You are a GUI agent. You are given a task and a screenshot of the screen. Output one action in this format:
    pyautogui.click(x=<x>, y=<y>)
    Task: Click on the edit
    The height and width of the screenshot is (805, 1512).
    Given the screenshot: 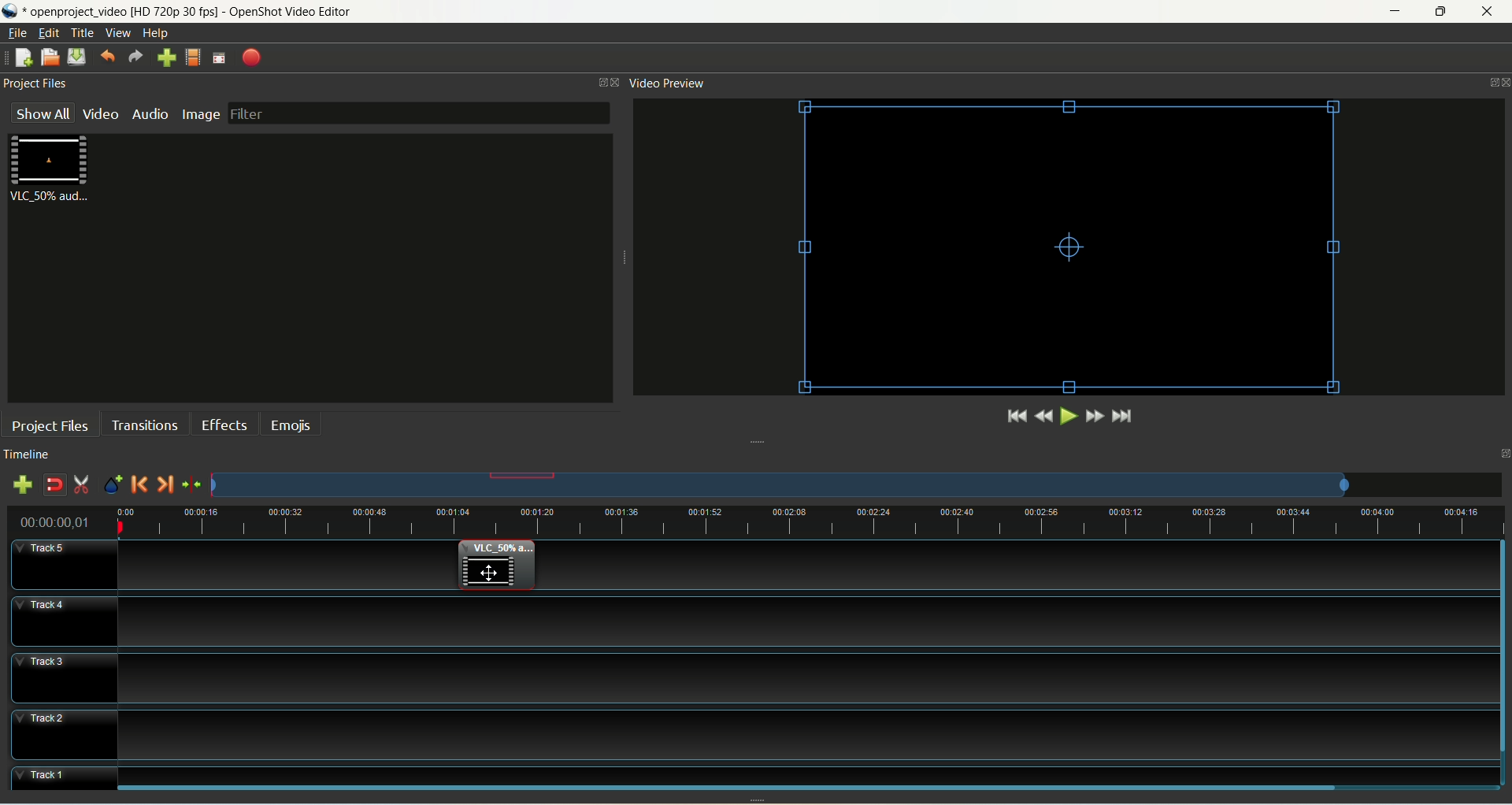 What is the action you would take?
    pyautogui.click(x=50, y=32)
    